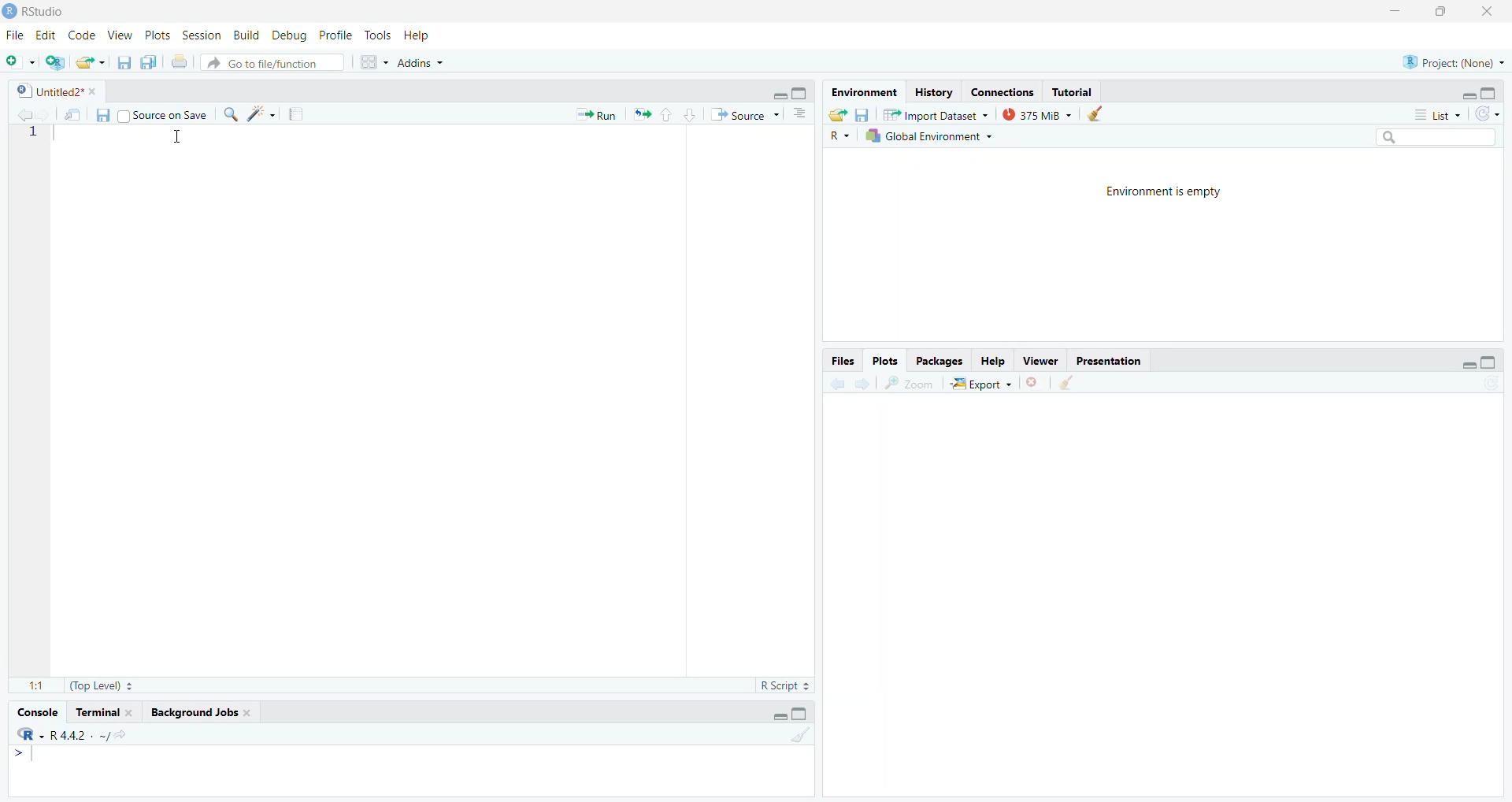 The image size is (1512, 802). Describe the element at coordinates (840, 359) in the screenshot. I see `Files` at that location.